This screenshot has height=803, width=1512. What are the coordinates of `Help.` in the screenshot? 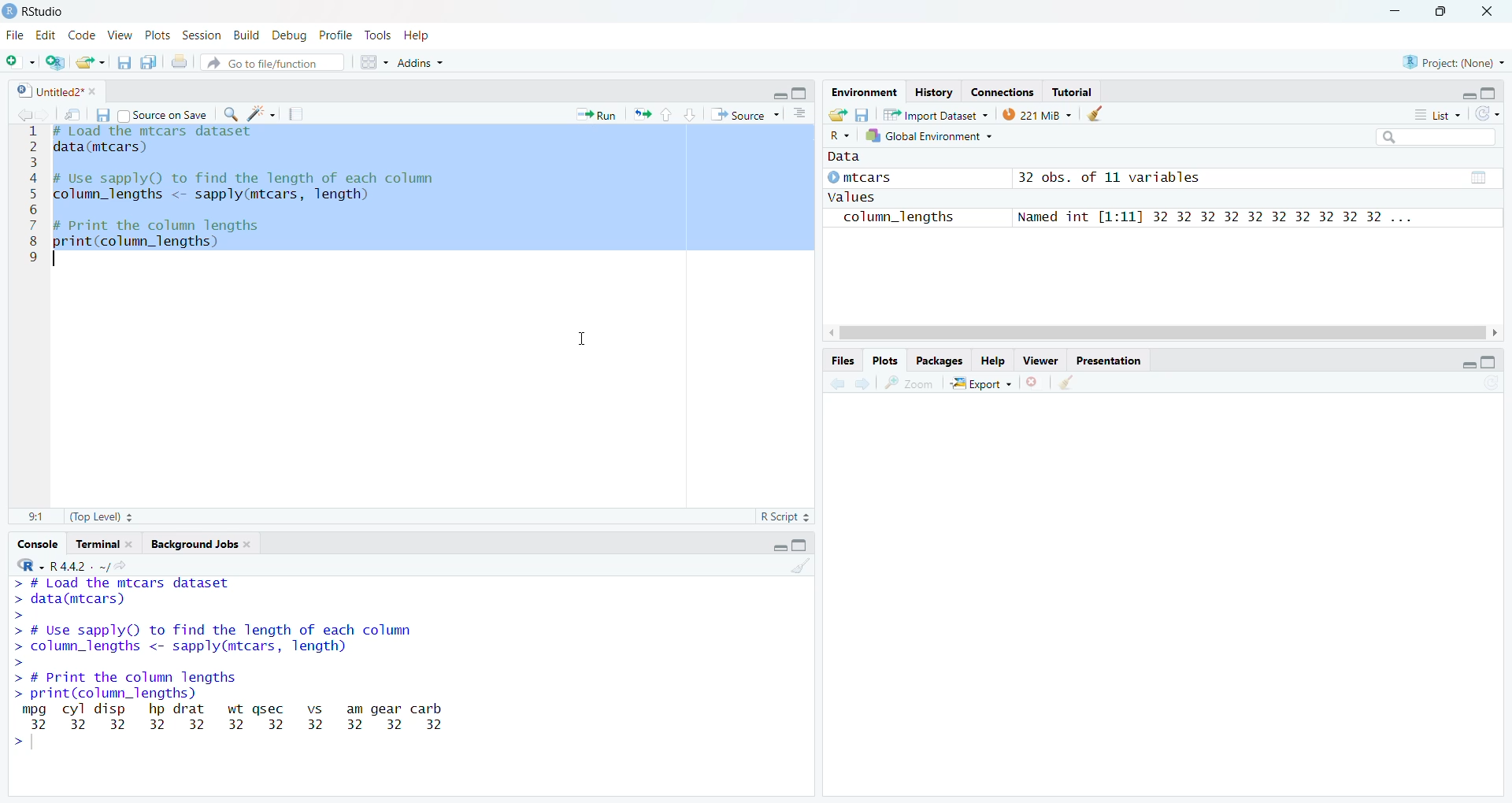 It's located at (991, 360).